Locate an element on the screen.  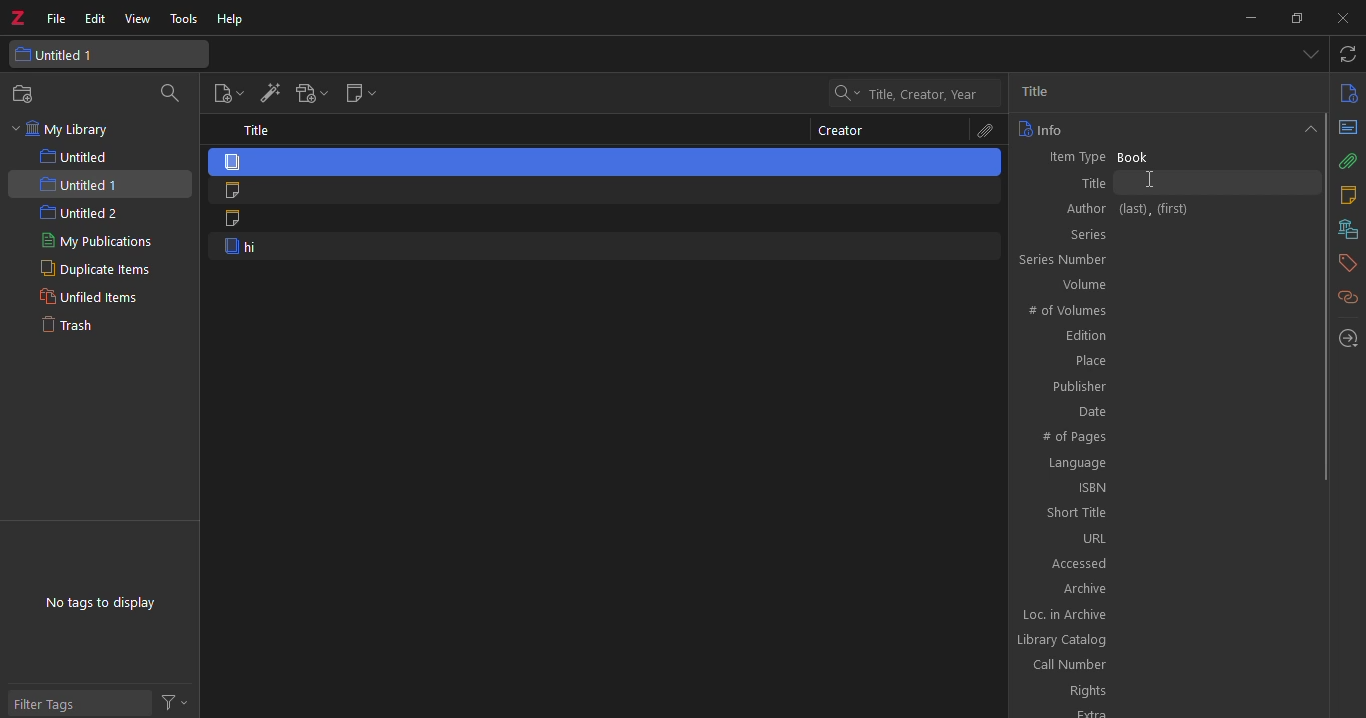
text cursor is located at coordinates (1166, 181).